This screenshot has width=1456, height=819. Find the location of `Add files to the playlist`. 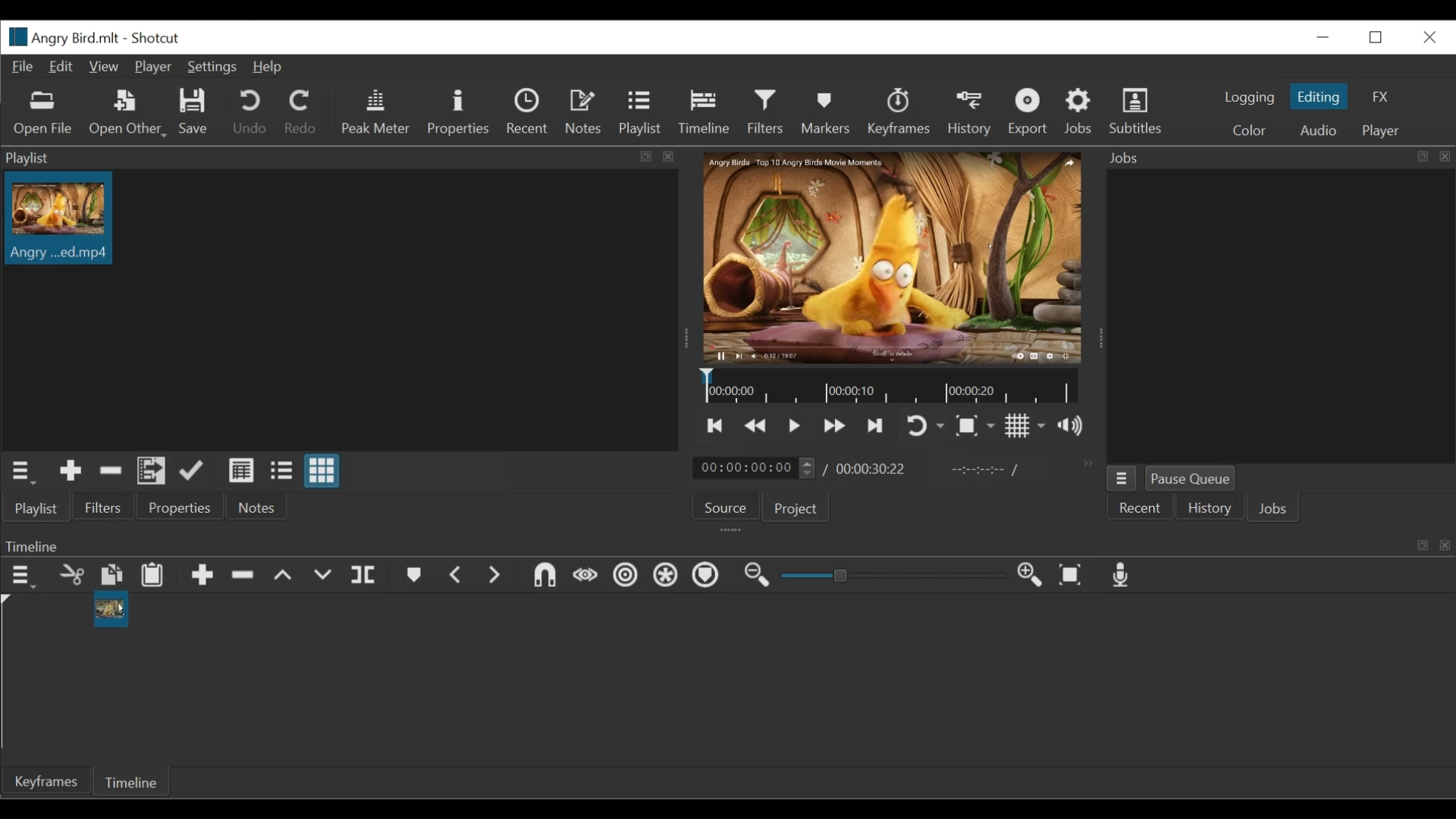

Add files to the playlist is located at coordinates (152, 472).